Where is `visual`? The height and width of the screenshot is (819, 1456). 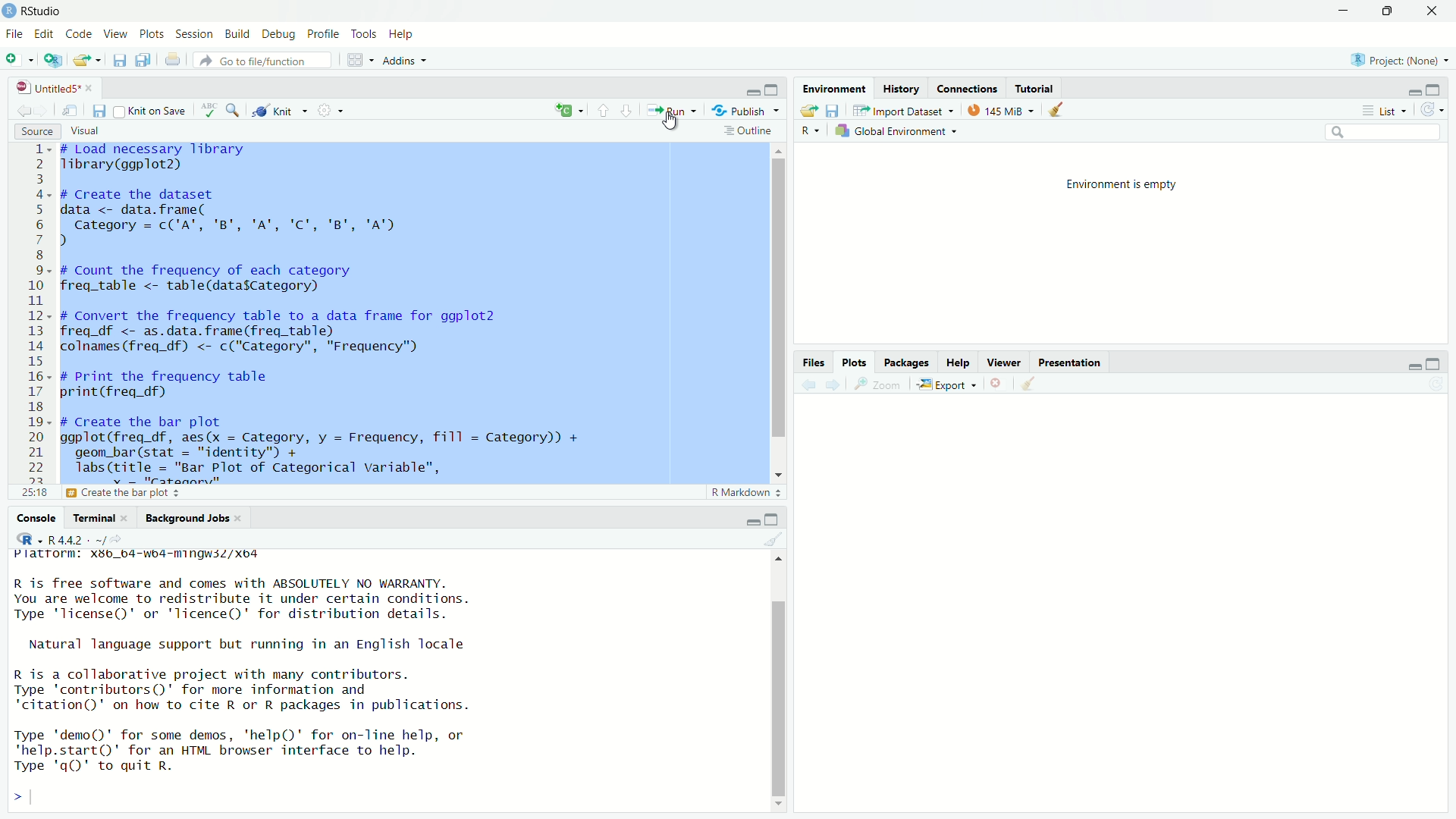 visual is located at coordinates (84, 131).